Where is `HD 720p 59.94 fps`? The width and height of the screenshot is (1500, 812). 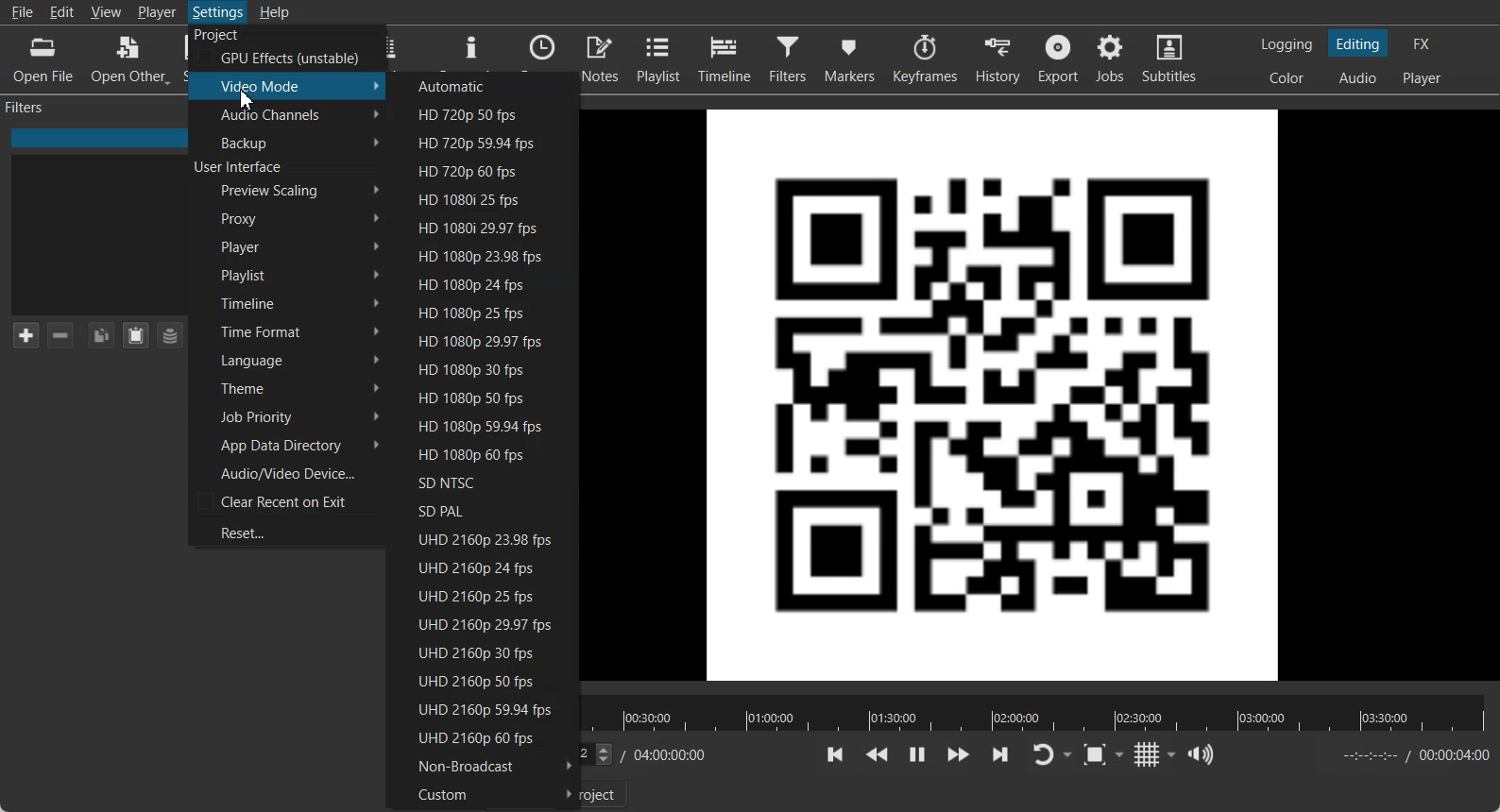 HD 720p 59.94 fps is located at coordinates (481, 142).